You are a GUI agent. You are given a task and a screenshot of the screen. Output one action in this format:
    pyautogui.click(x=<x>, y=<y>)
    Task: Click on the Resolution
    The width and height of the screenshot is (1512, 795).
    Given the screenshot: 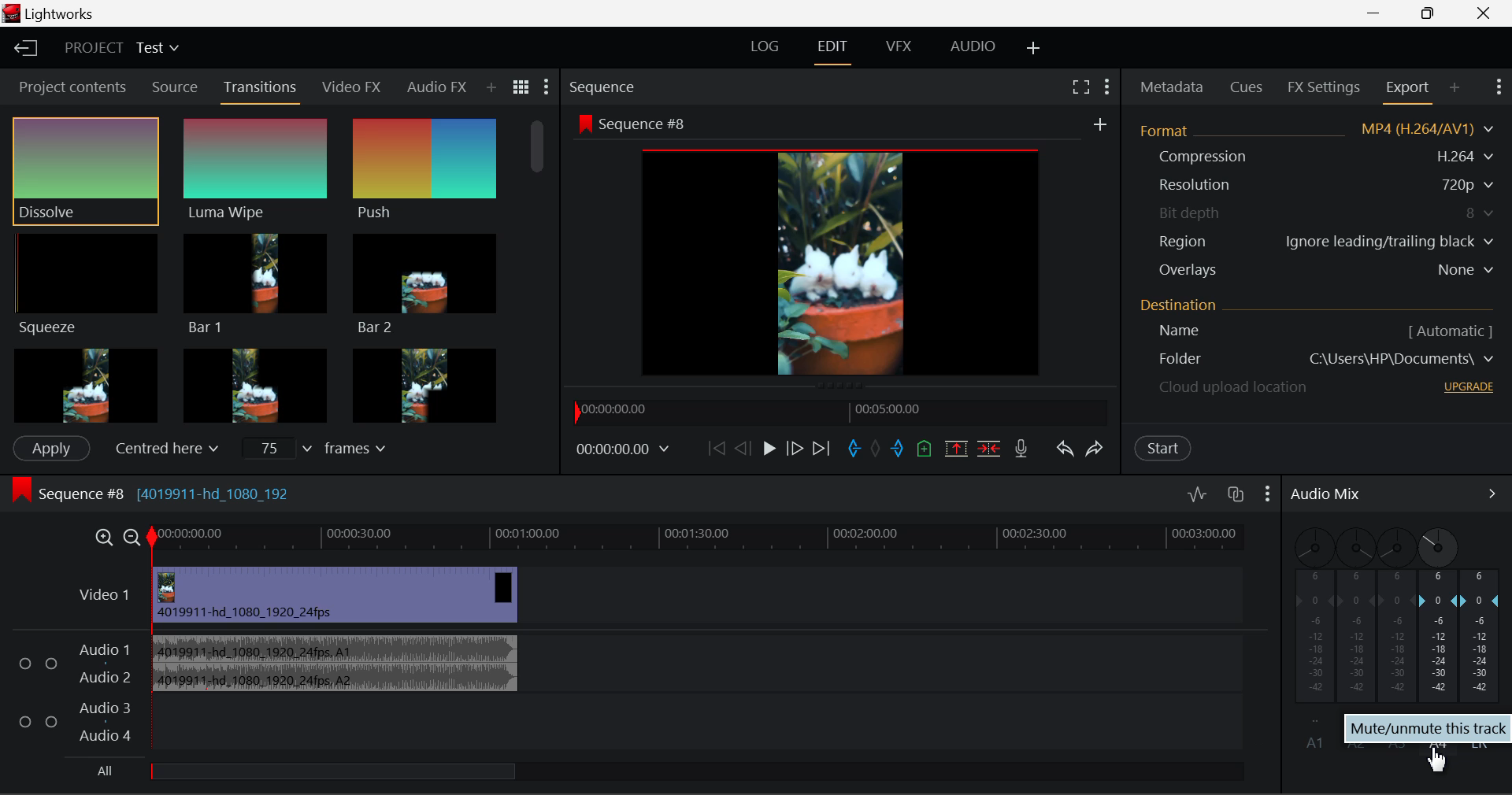 What is the action you would take?
    pyautogui.click(x=1314, y=183)
    